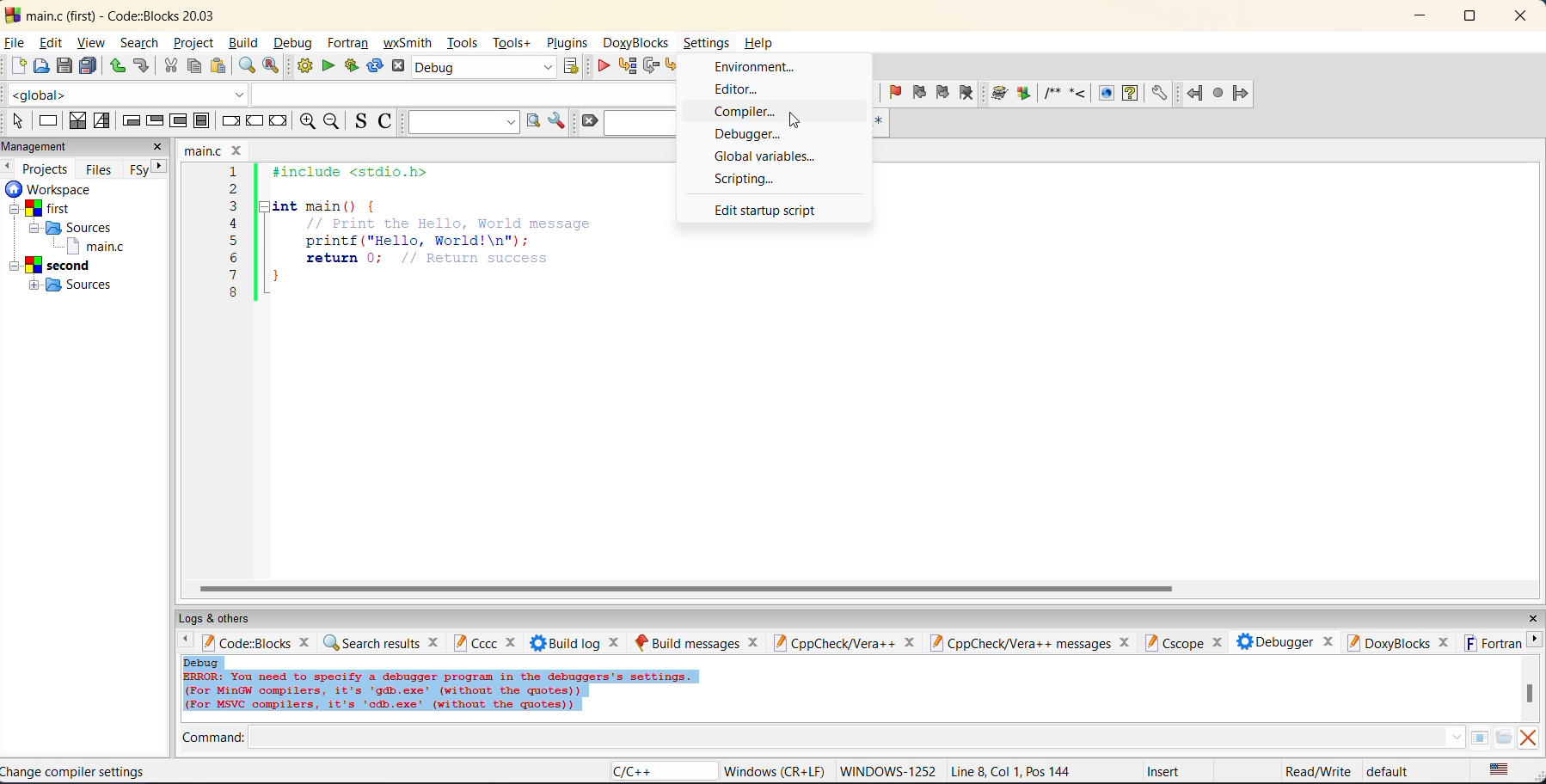 This screenshot has height=784, width=1546. Describe the element at coordinates (255, 119) in the screenshot. I see `continue` at that location.